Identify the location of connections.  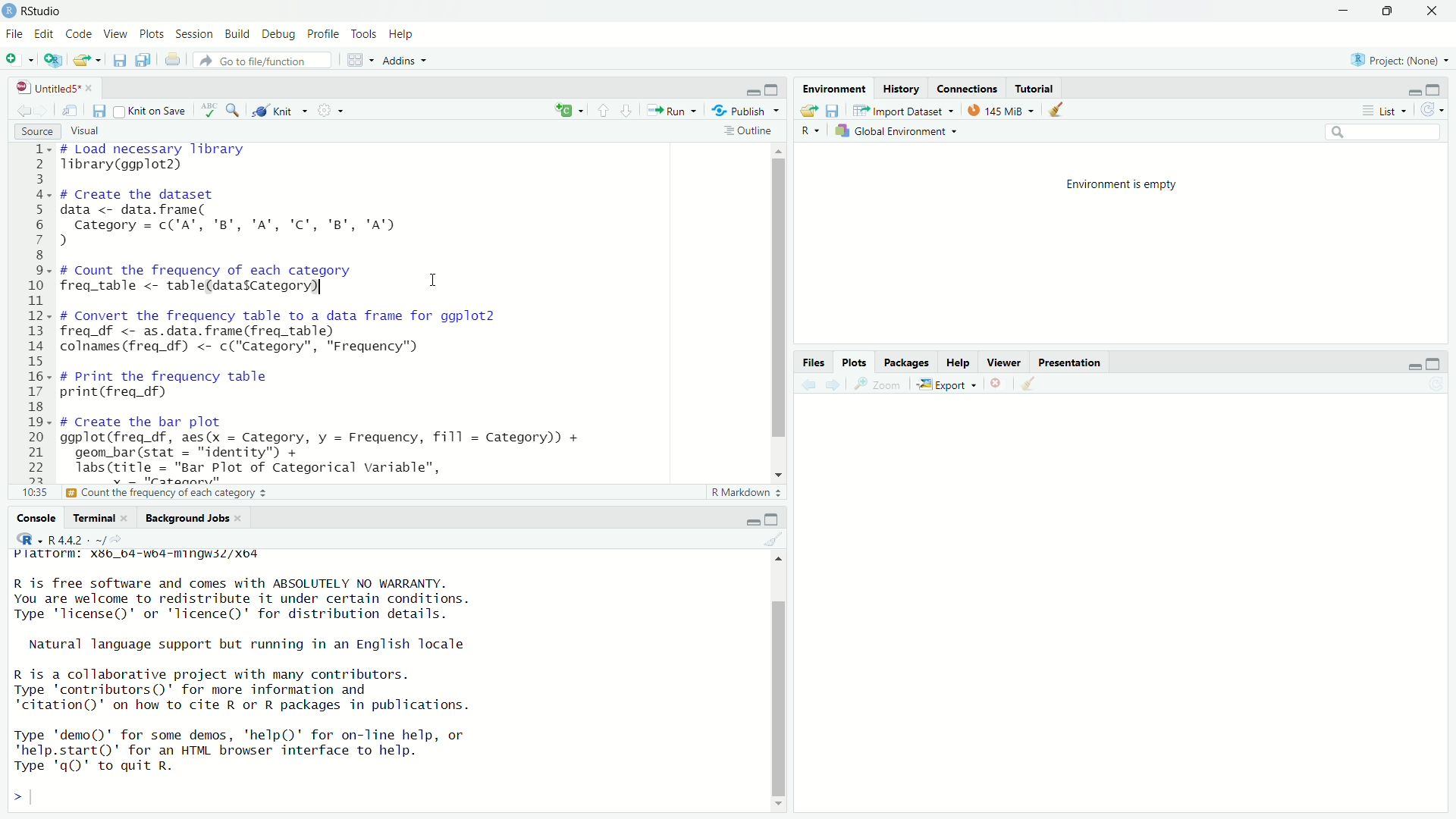
(968, 89).